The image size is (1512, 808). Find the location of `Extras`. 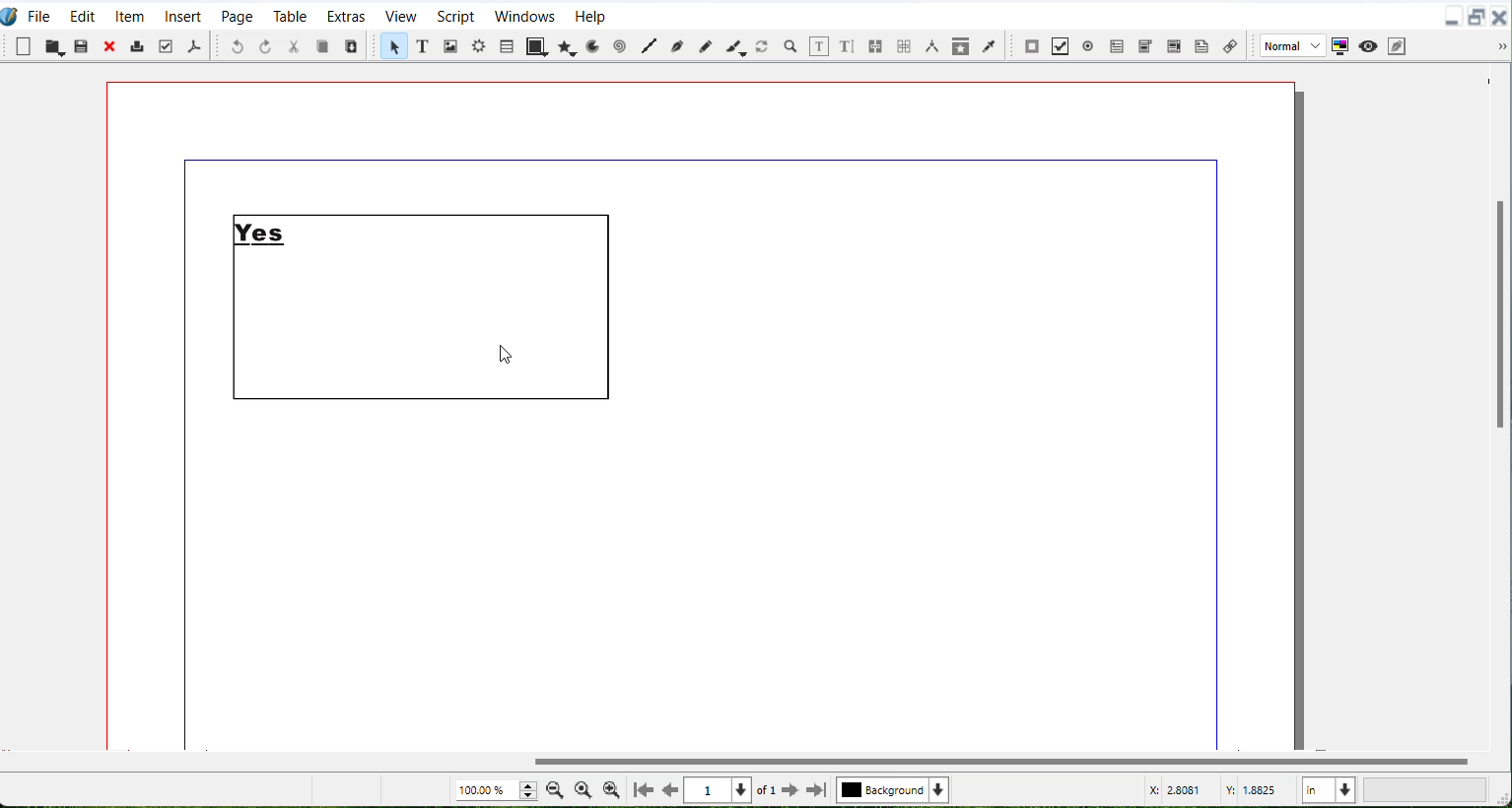

Extras is located at coordinates (346, 15).